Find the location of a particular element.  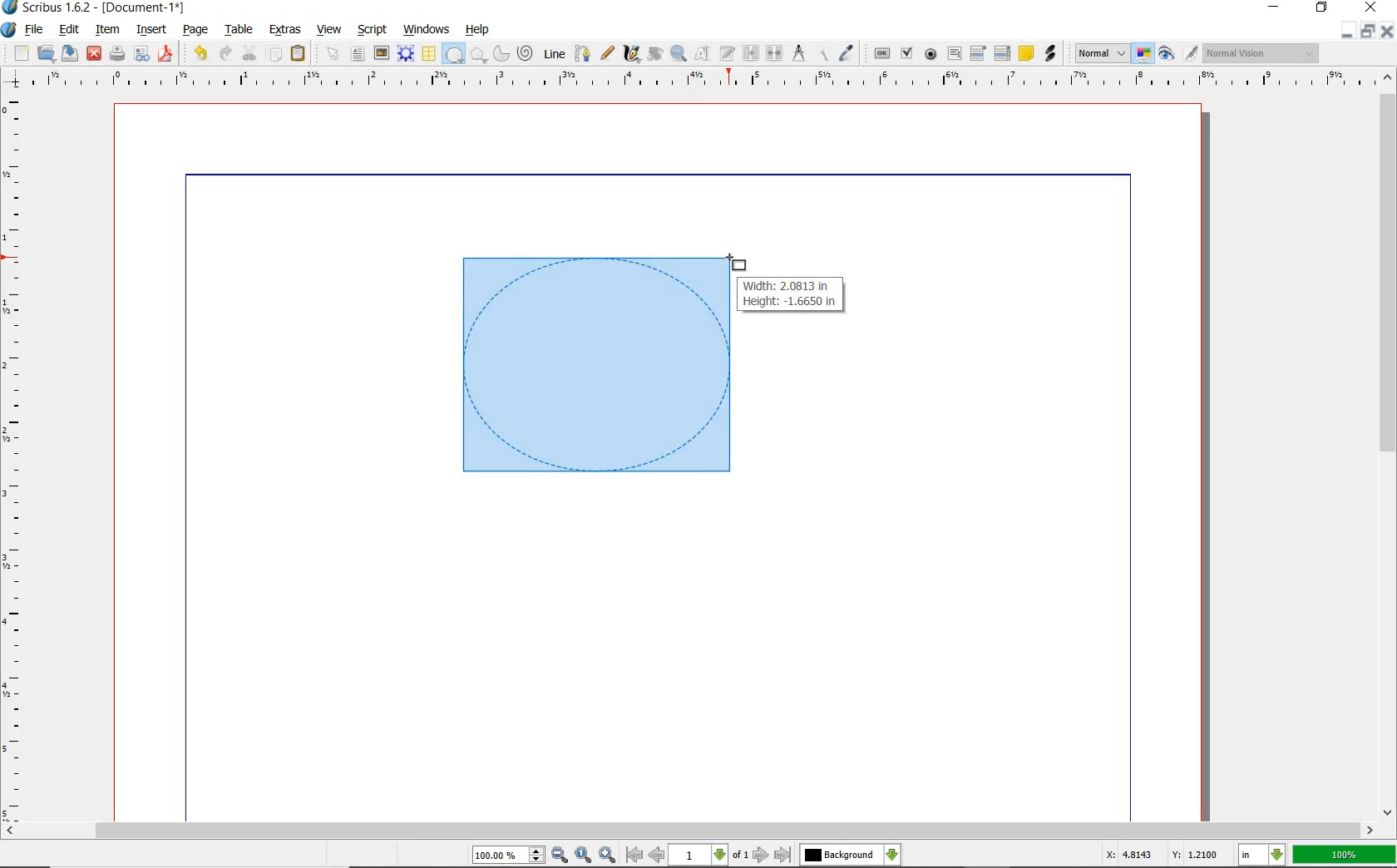

drawing shape is located at coordinates (593, 366).